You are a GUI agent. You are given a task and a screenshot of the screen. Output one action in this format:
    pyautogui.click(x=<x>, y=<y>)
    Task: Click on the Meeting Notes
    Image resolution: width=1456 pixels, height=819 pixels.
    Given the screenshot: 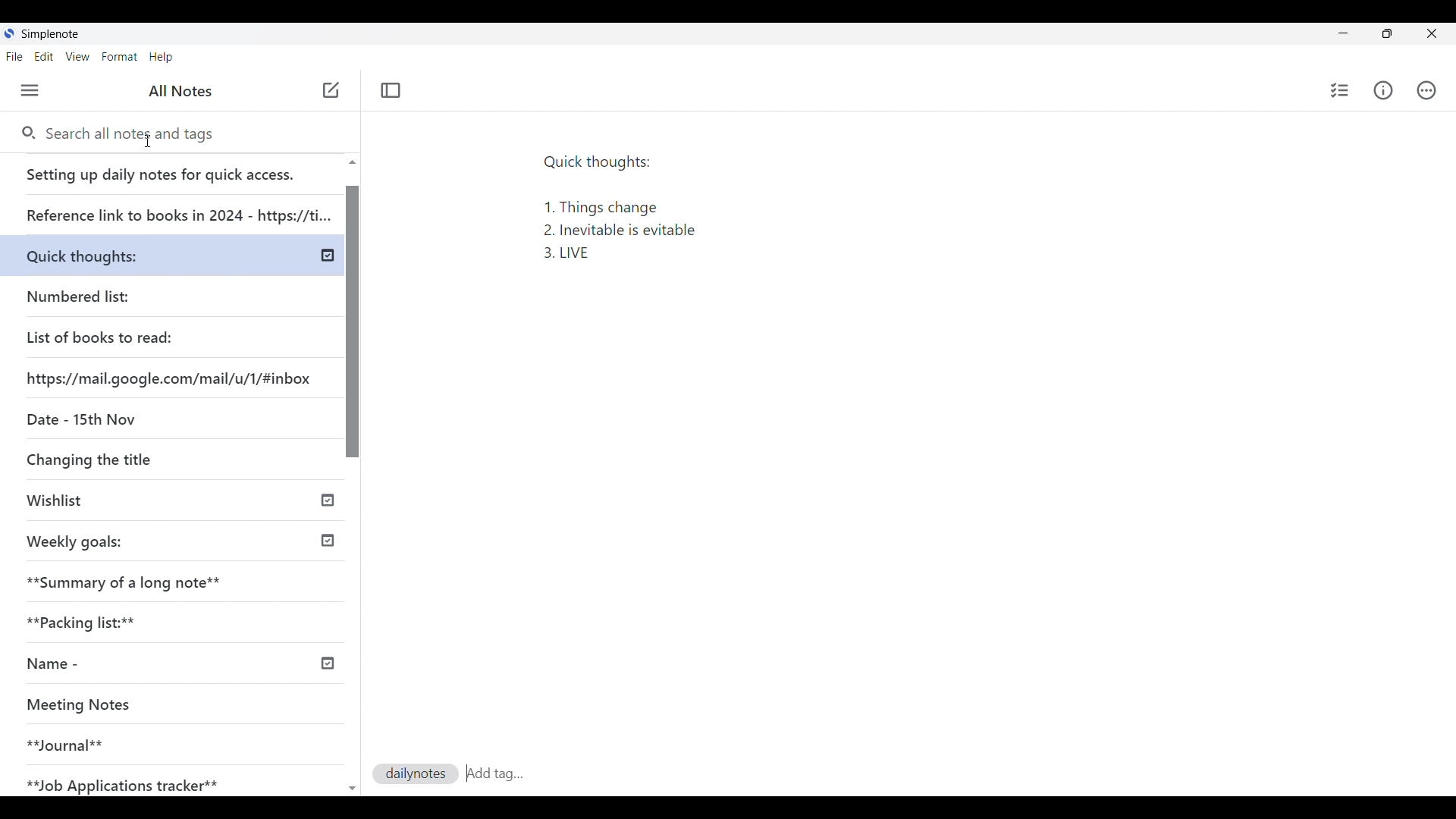 What is the action you would take?
    pyautogui.click(x=153, y=706)
    